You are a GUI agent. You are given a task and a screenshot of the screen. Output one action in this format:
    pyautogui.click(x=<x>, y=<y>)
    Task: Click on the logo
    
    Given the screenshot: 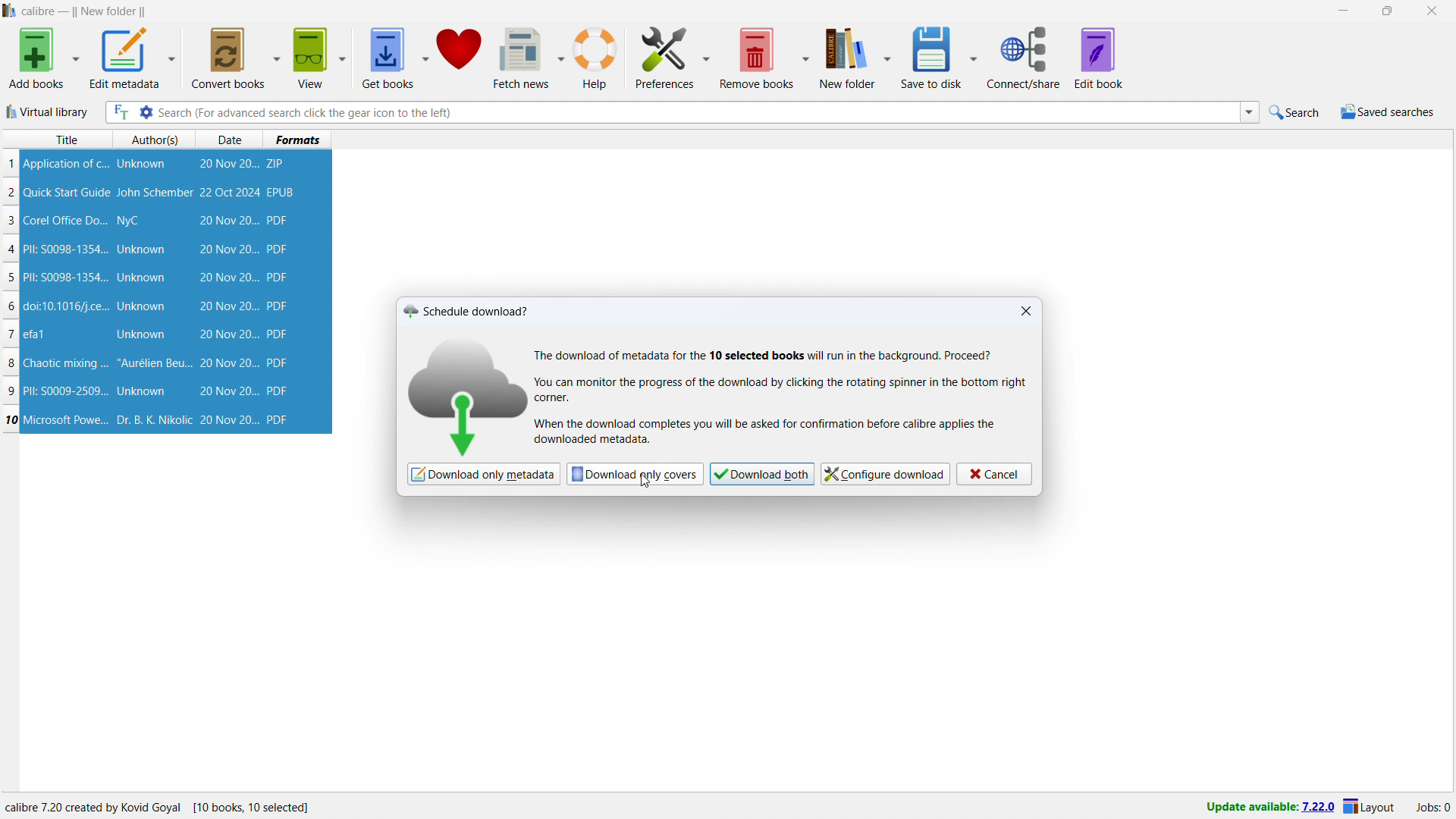 What is the action you would take?
    pyautogui.click(x=472, y=393)
    